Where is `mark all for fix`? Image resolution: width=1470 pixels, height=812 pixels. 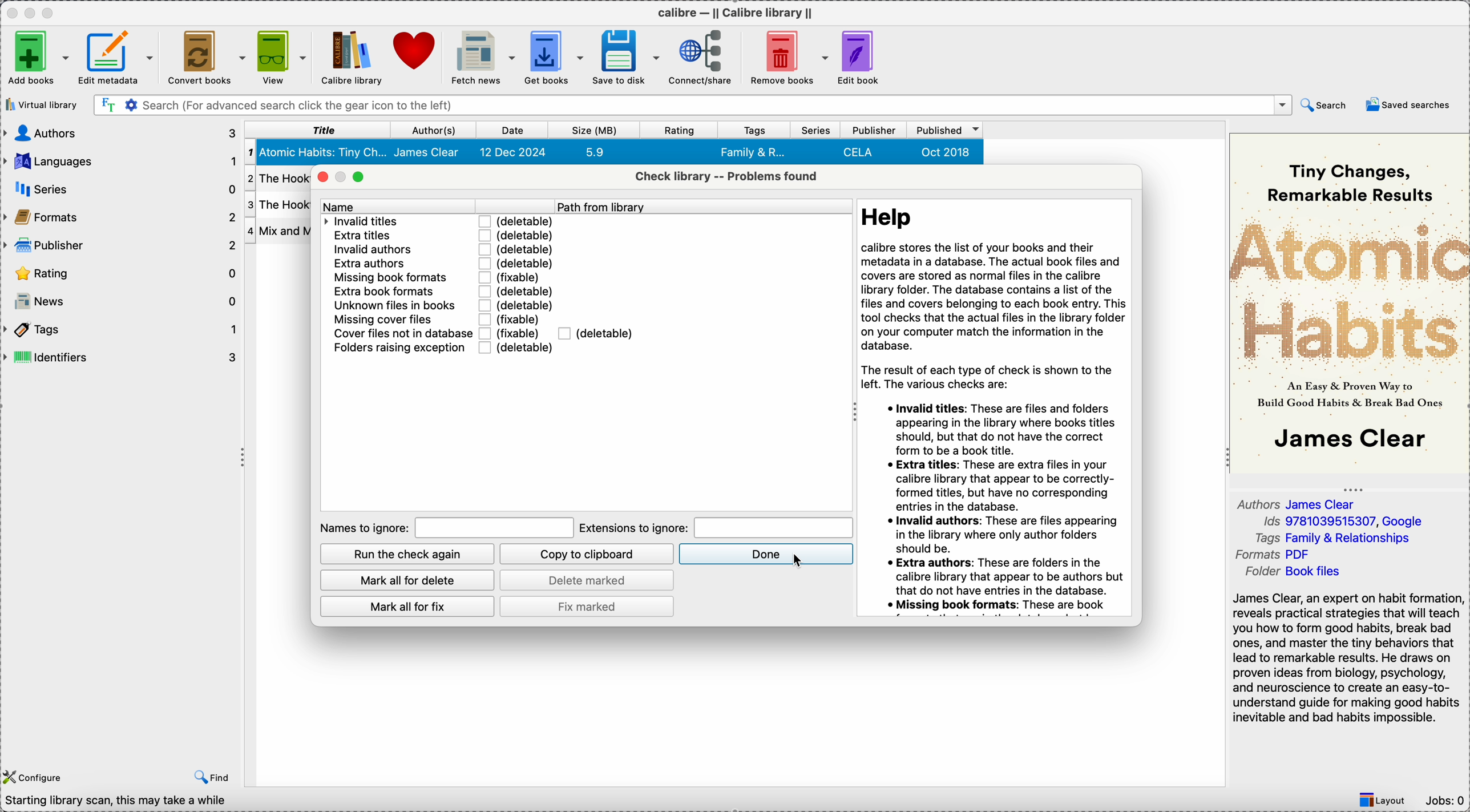 mark all for fix is located at coordinates (406, 607).